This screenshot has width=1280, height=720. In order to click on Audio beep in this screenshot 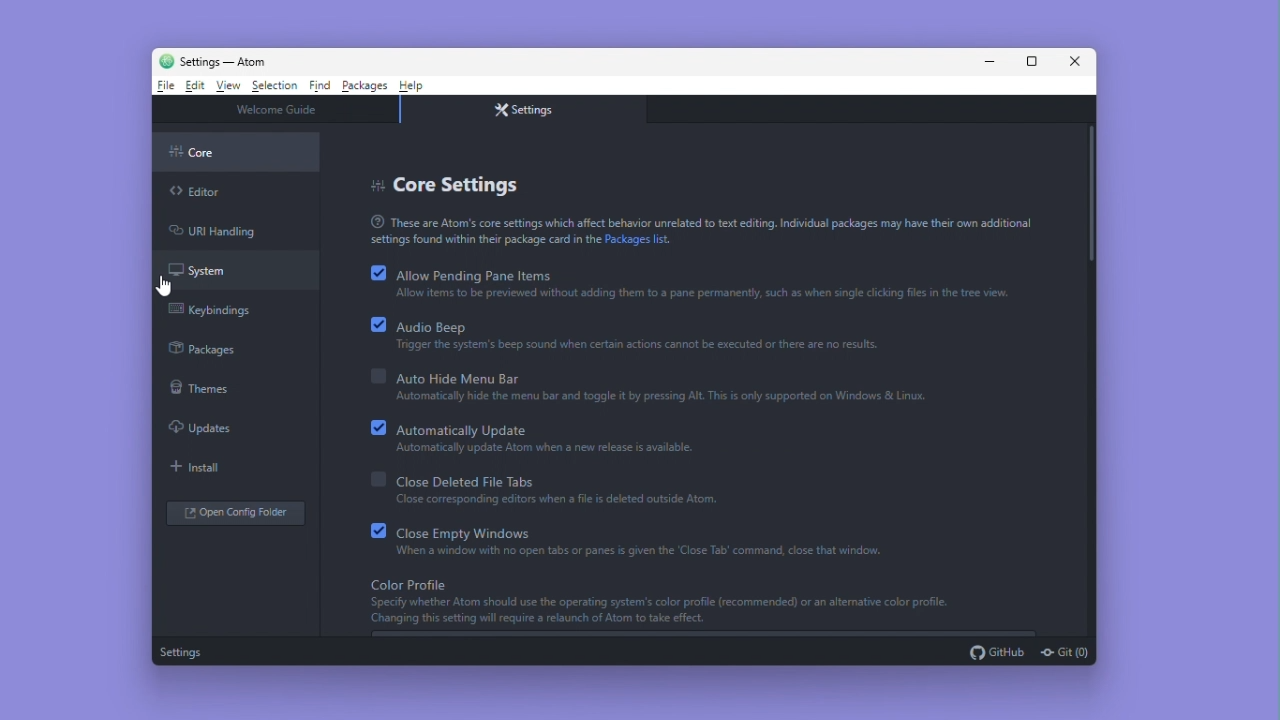, I will do `click(420, 322)`.